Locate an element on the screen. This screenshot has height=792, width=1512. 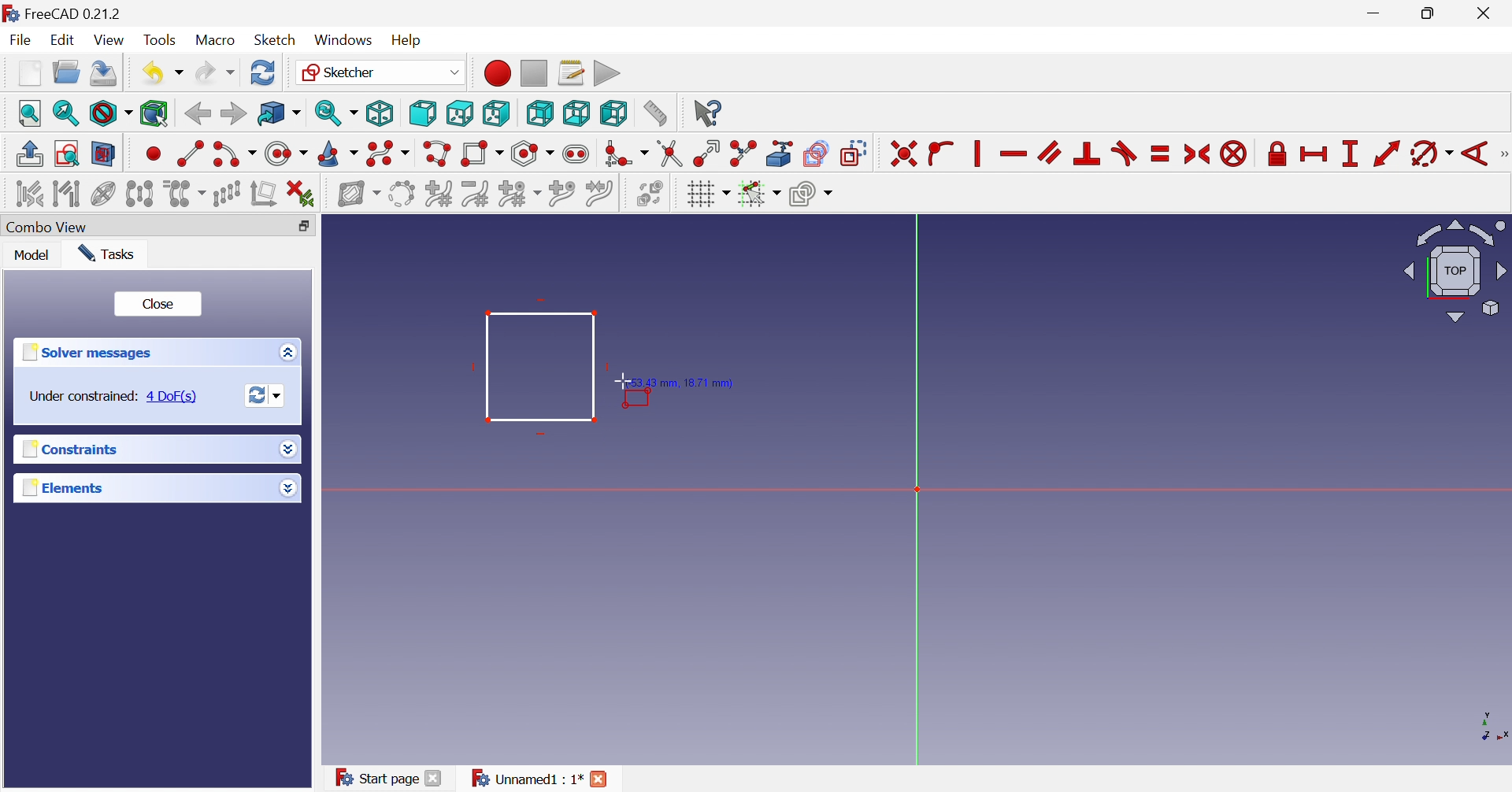
Toggle construction geometry is located at coordinates (854, 154).